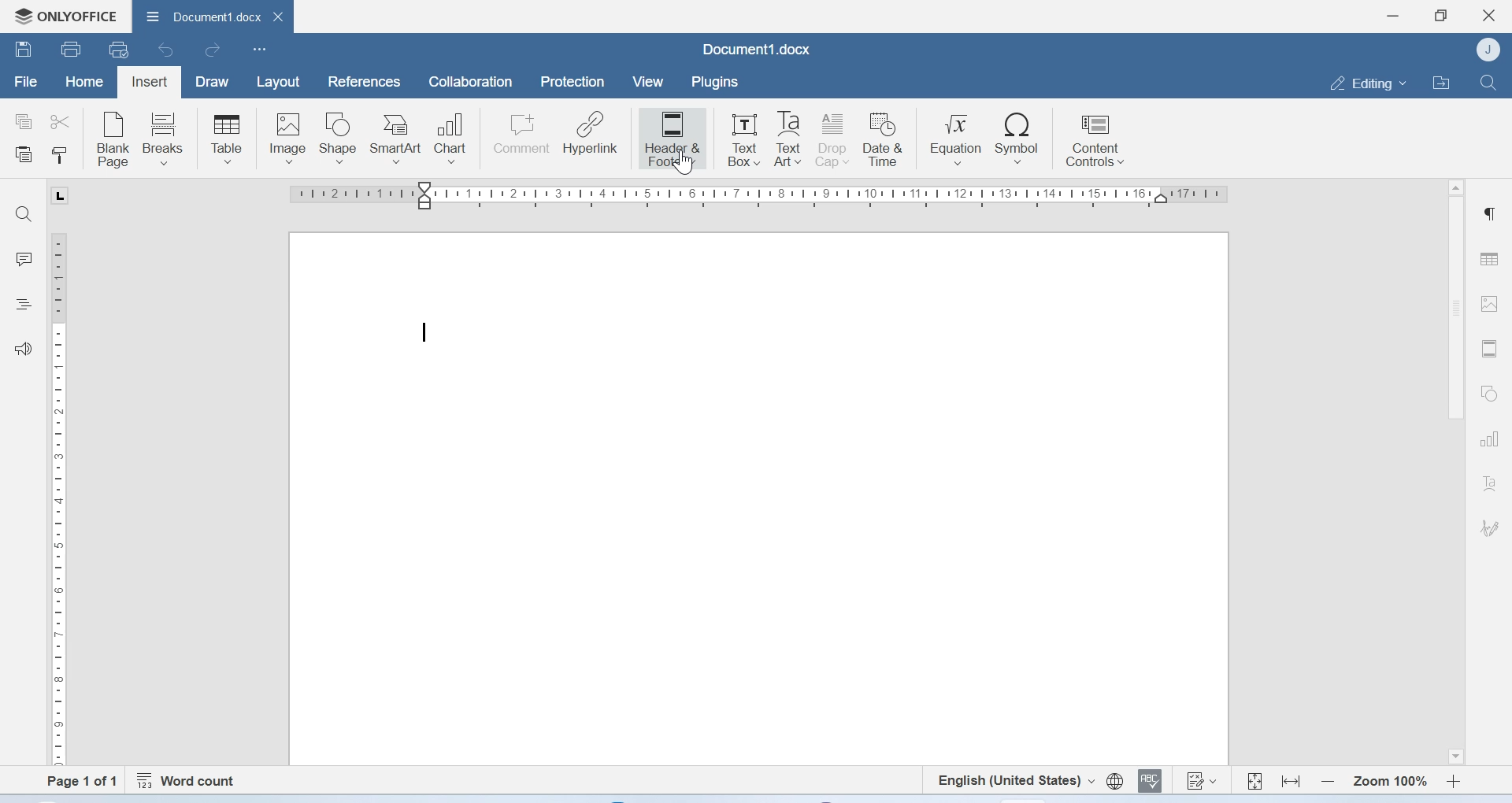 This screenshot has height=803, width=1512. What do you see at coordinates (456, 135) in the screenshot?
I see `Chart` at bounding box center [456, 135].